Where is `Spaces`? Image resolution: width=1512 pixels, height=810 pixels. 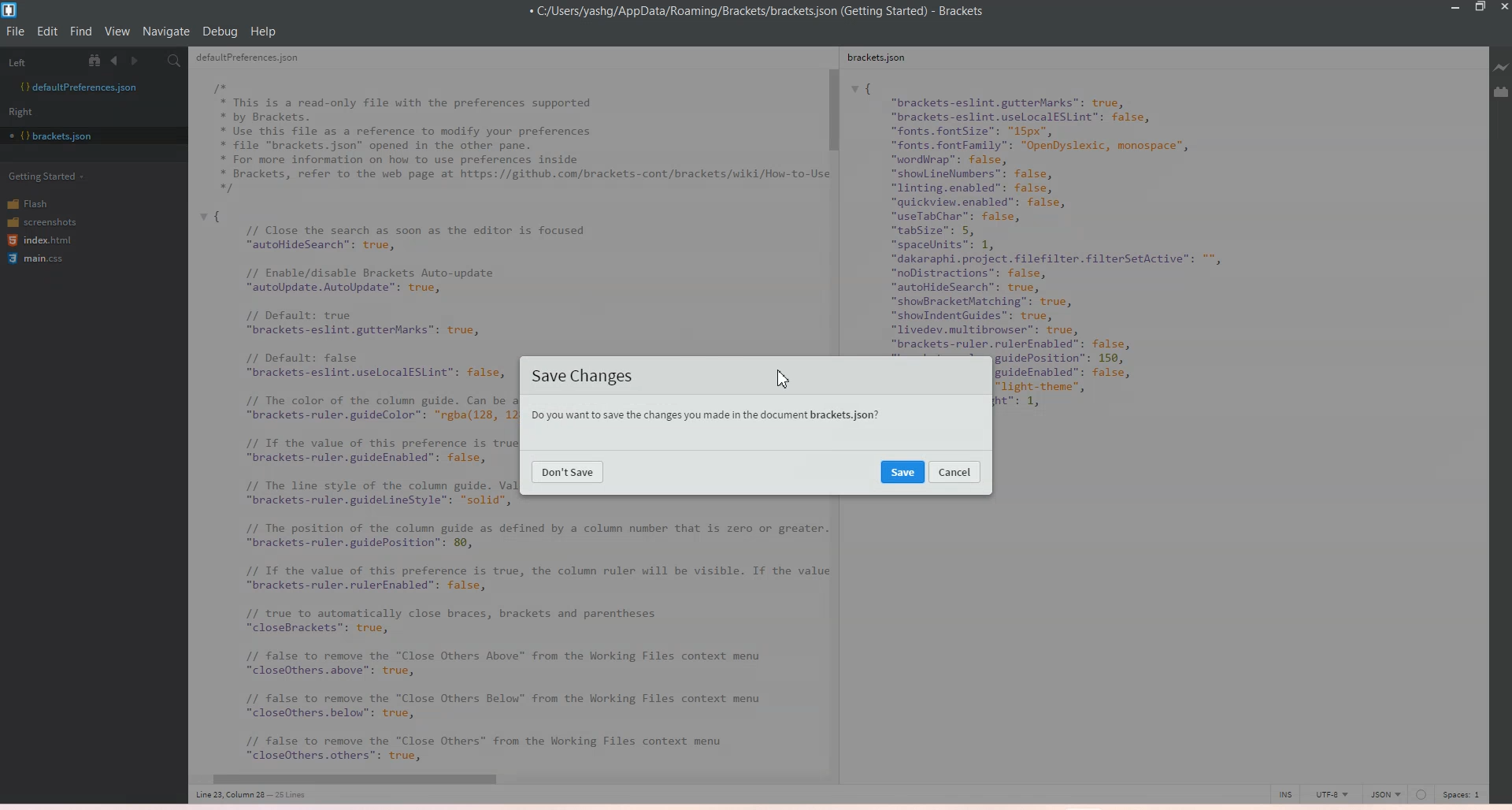 Spaces is located at coordinates (1465, 793).